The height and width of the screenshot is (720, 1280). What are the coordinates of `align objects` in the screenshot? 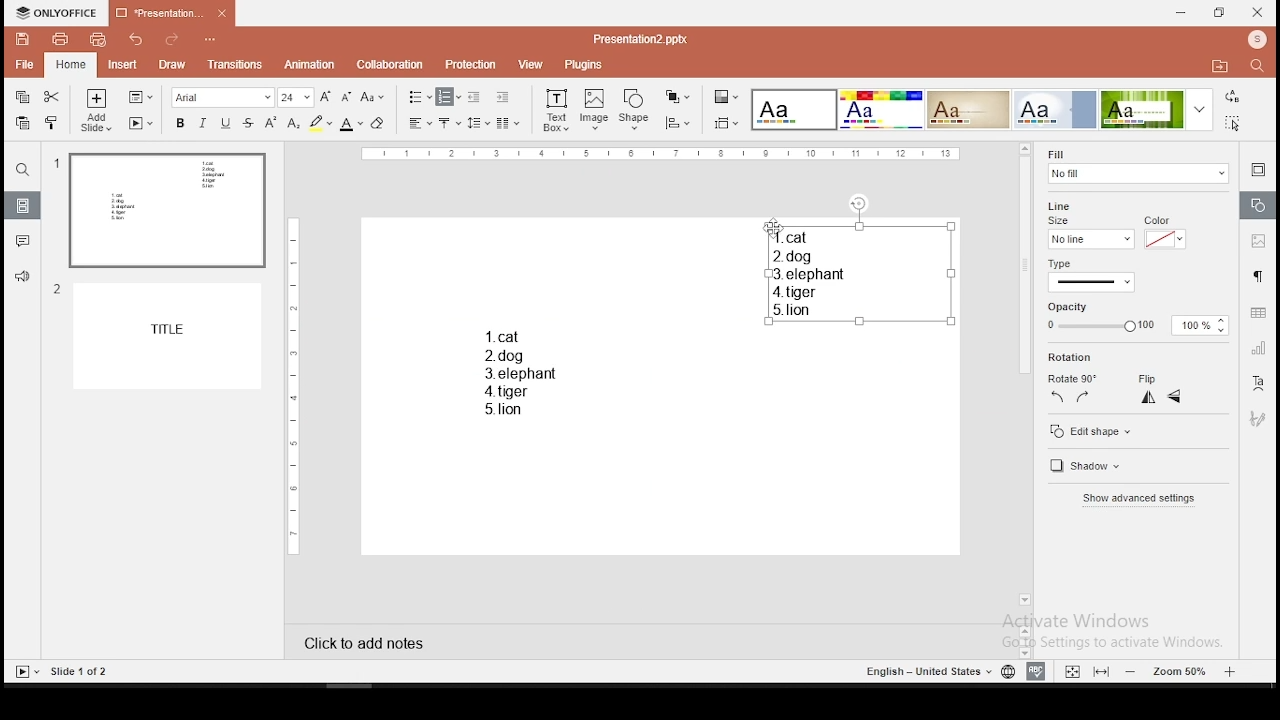 It's located at (676, 123).